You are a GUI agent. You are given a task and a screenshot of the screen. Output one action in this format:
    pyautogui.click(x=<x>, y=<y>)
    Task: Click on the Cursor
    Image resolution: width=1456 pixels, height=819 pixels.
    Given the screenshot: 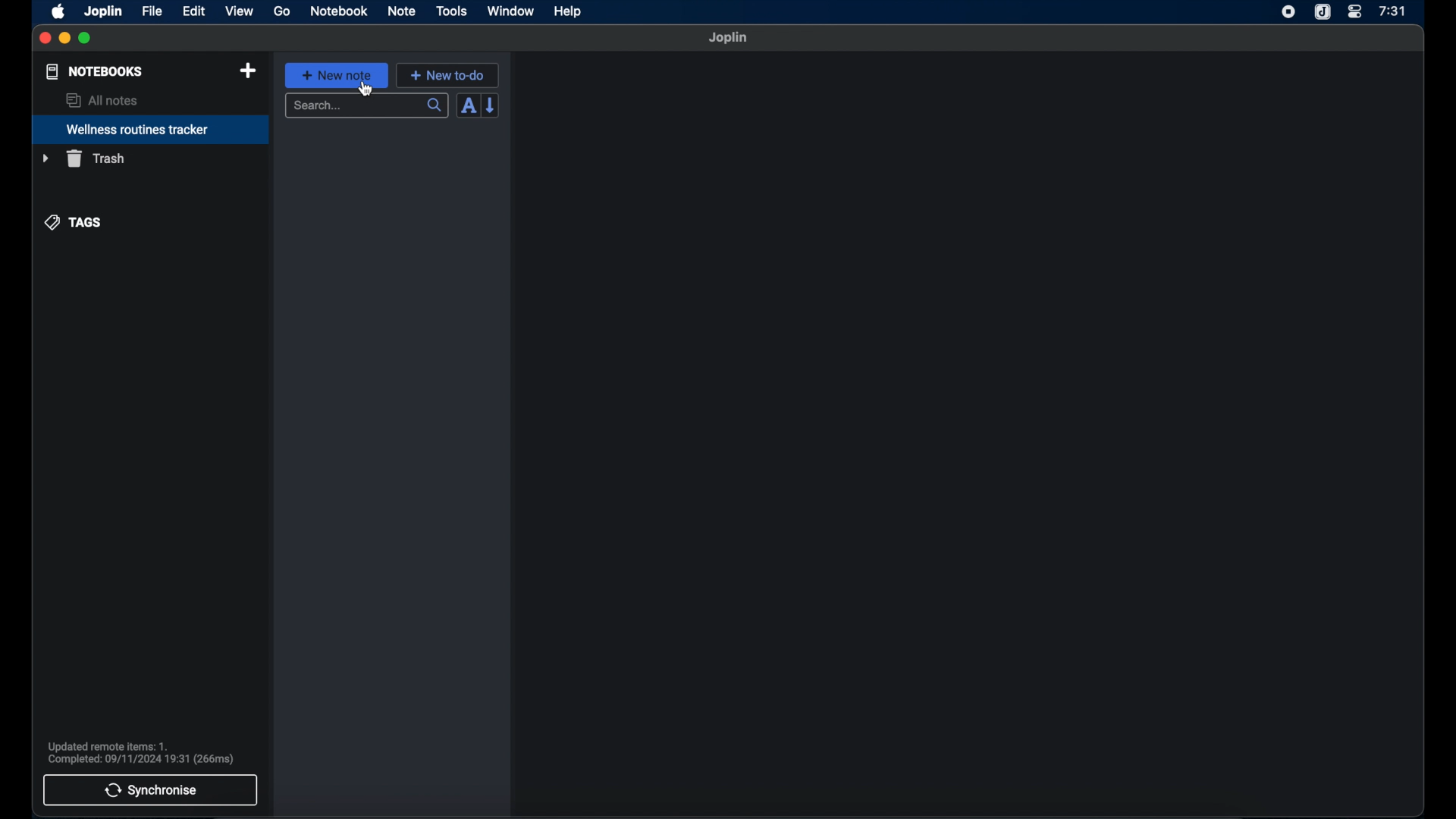 What is the action you would take?
    pyautogui.click(x=367, y=91)
    